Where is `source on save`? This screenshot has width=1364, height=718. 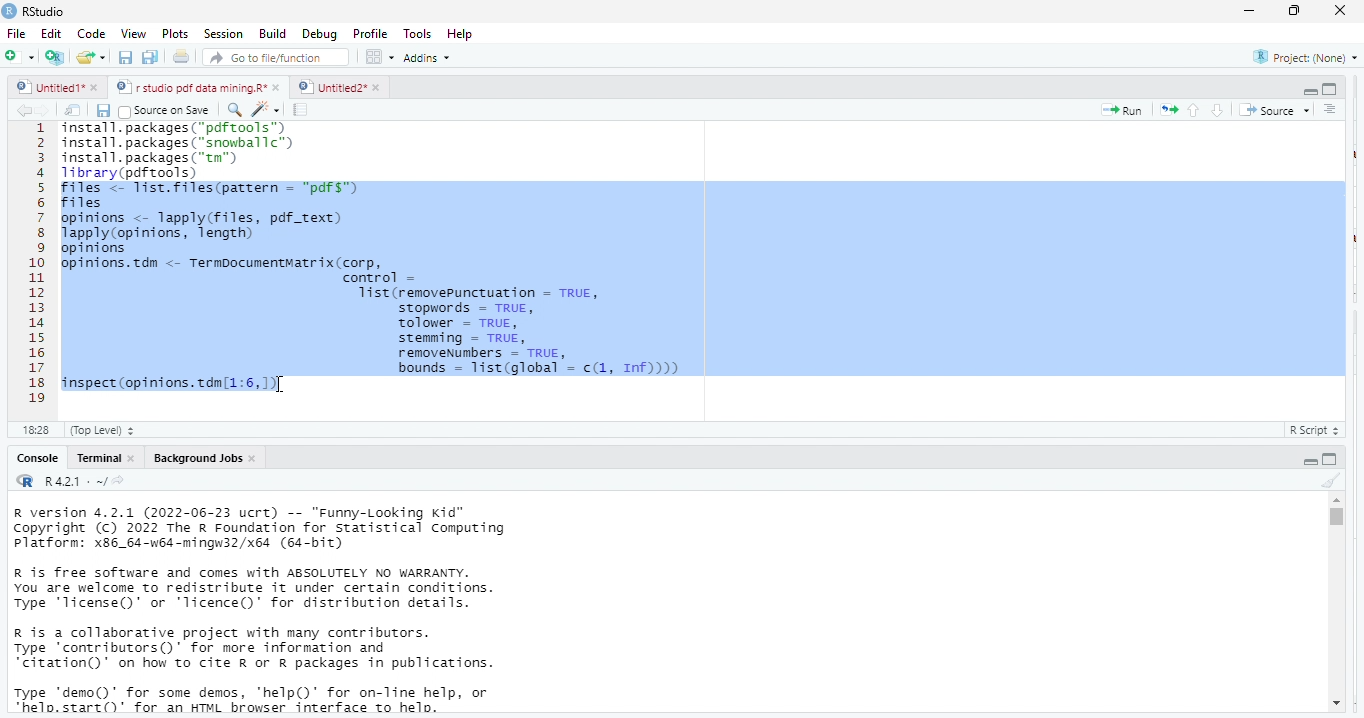 source on save is located at coordinates (168, 110).